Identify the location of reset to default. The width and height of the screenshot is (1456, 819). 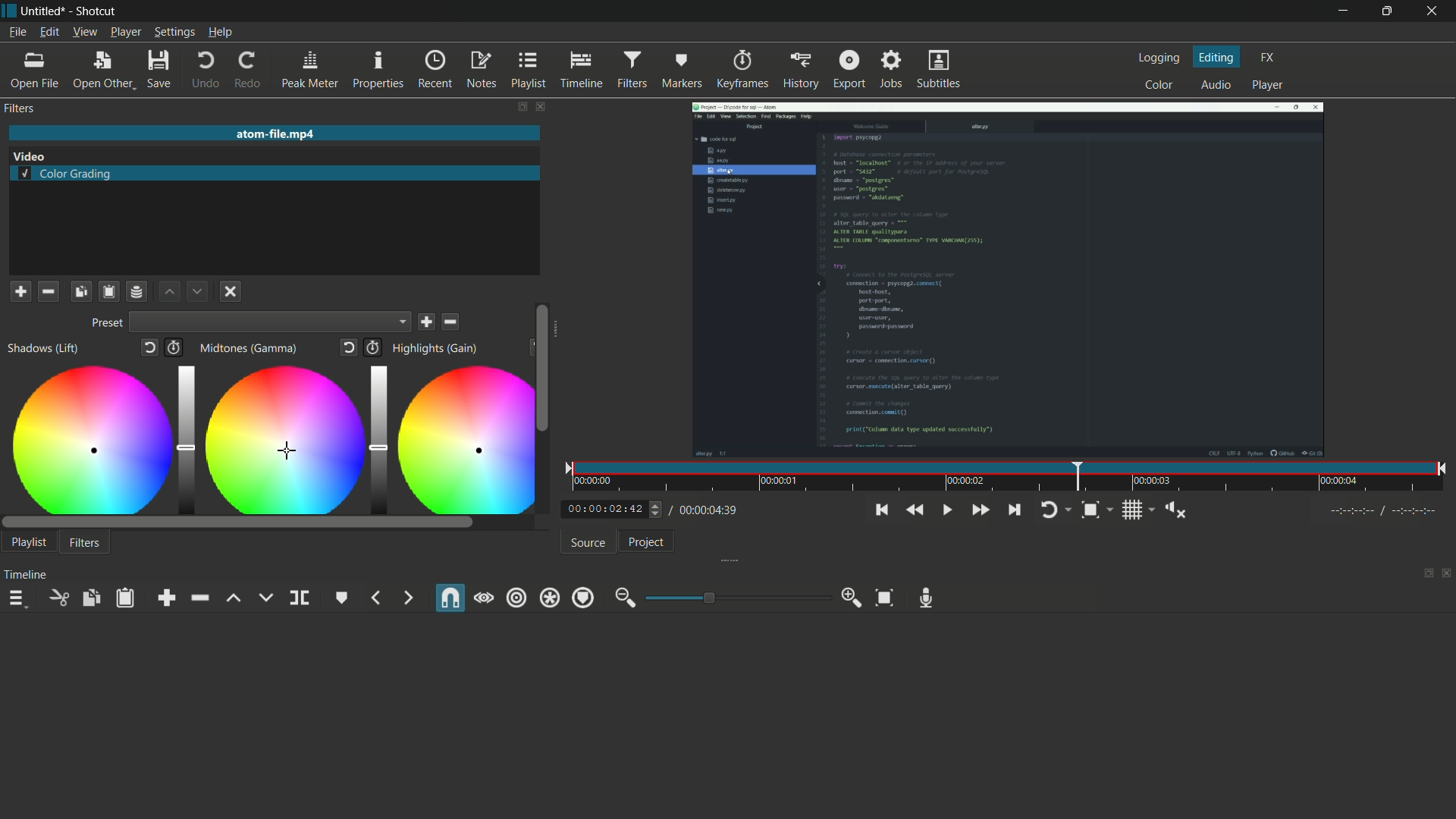
(350, 348).